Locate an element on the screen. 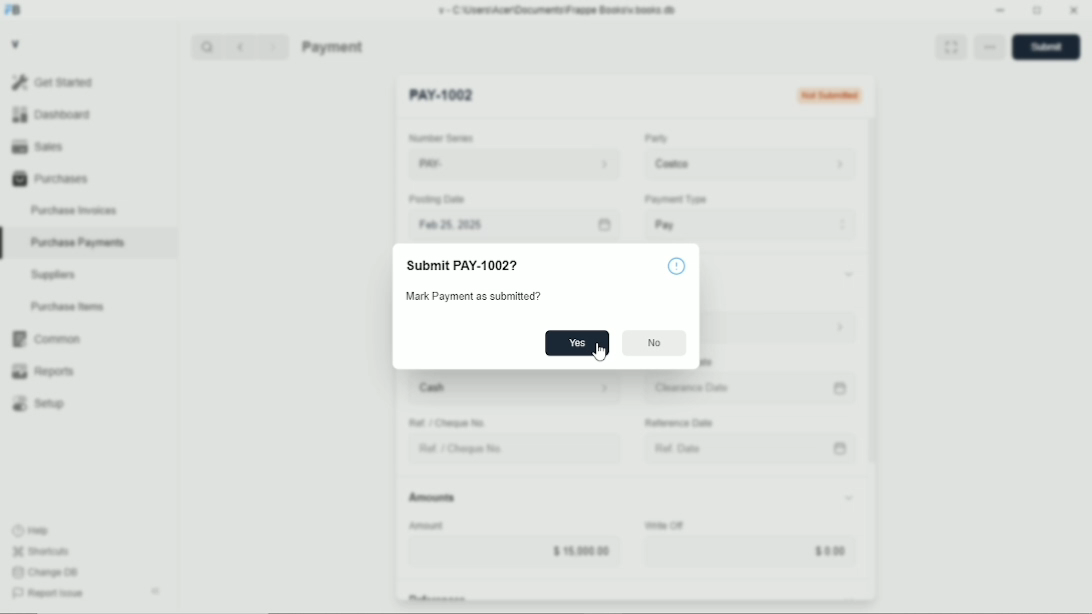 This screenshot has height=614, width=1092. No is located at coordinates (655, 343).